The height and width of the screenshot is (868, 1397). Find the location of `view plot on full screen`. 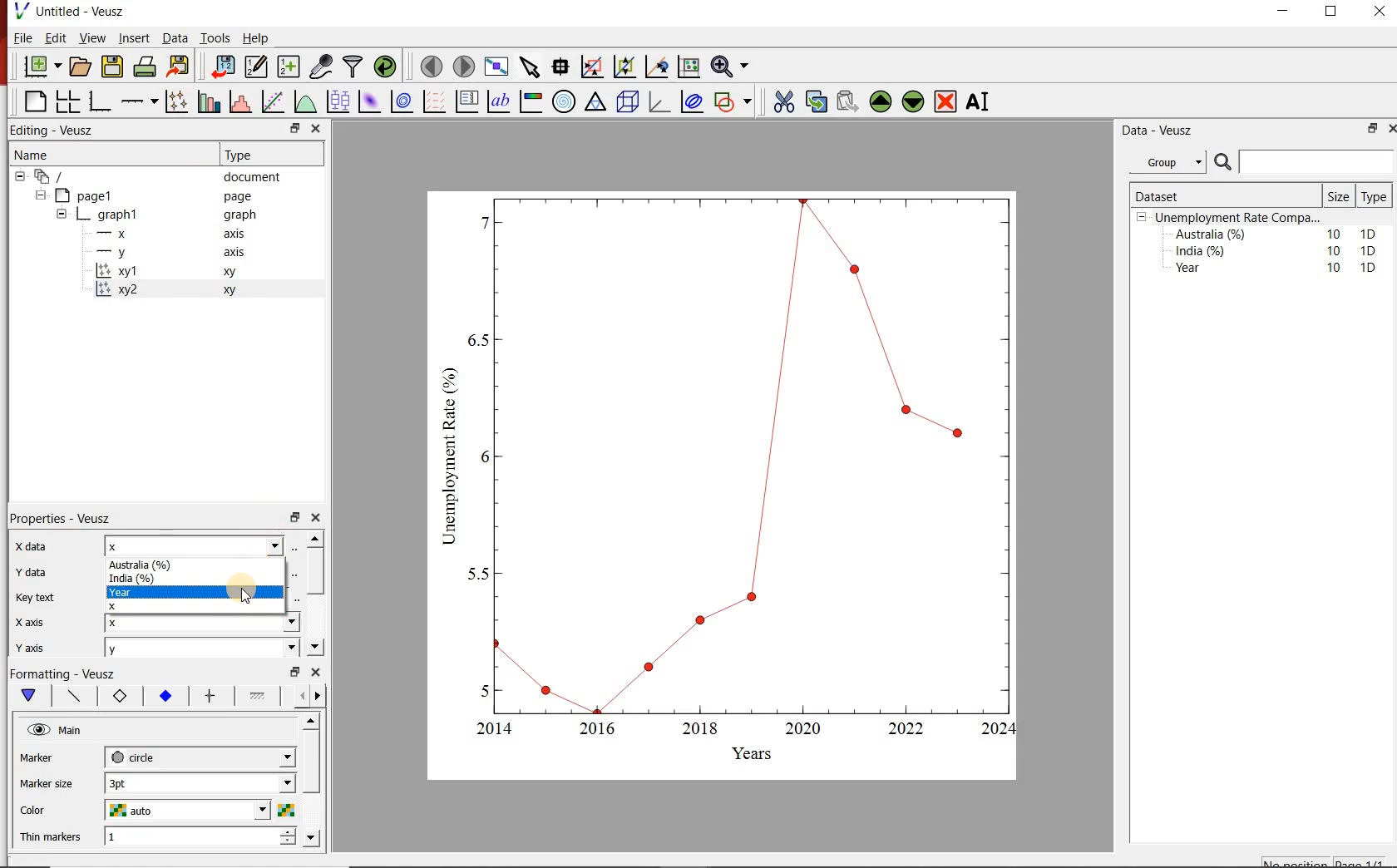

view plot on full screen is located at coordinates (498, 66).